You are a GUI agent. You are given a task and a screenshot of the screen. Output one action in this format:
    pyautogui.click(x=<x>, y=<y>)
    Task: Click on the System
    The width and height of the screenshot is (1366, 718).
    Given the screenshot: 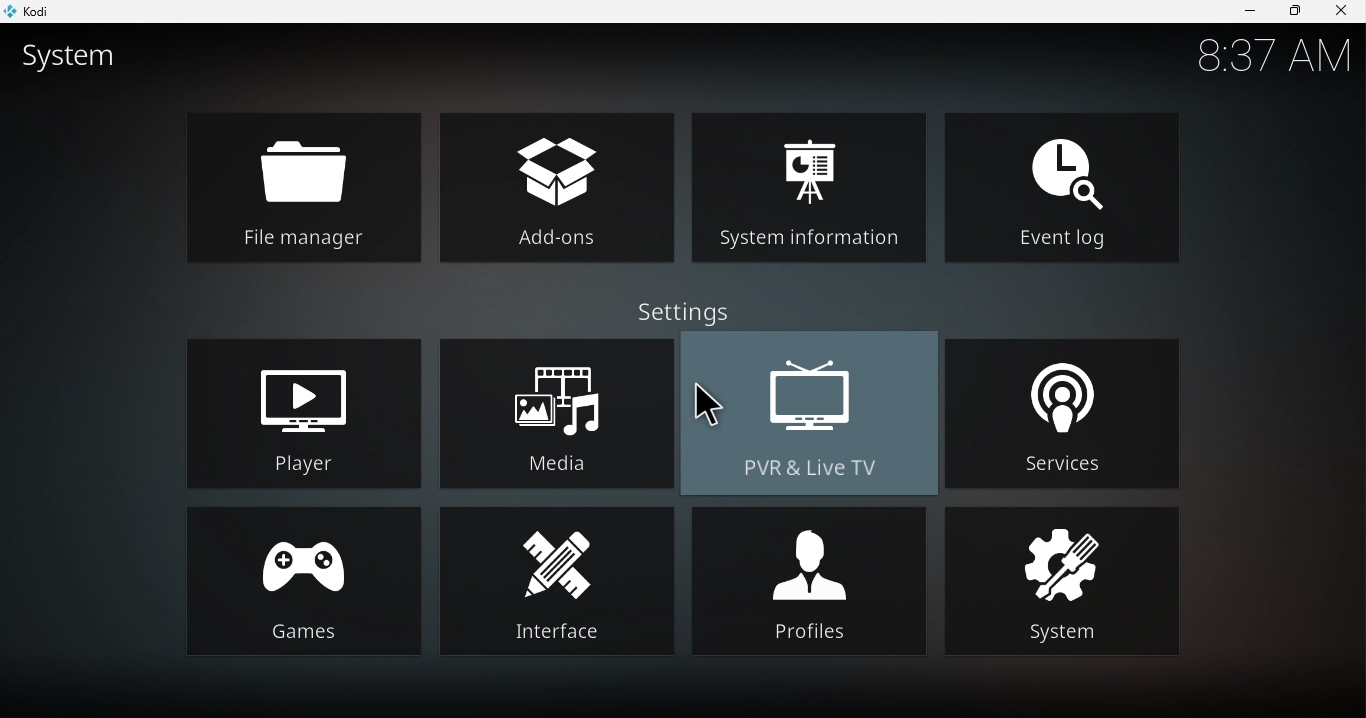 What is the action you would take?
    pyautogui.click(x=83, y=59)
    